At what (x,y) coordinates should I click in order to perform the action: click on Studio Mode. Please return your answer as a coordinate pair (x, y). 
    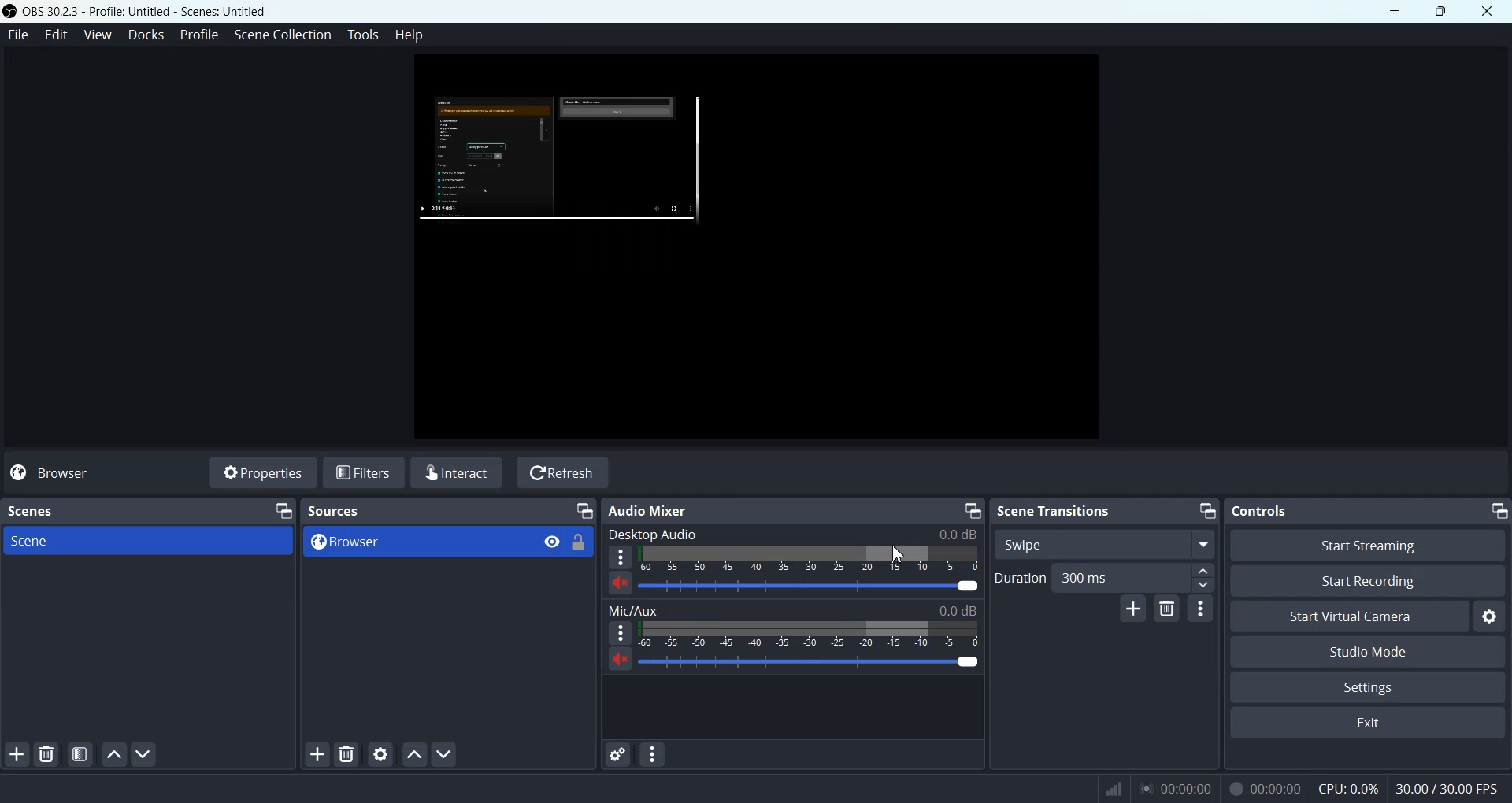
    Looking at the image, I should click on (1366, 651).